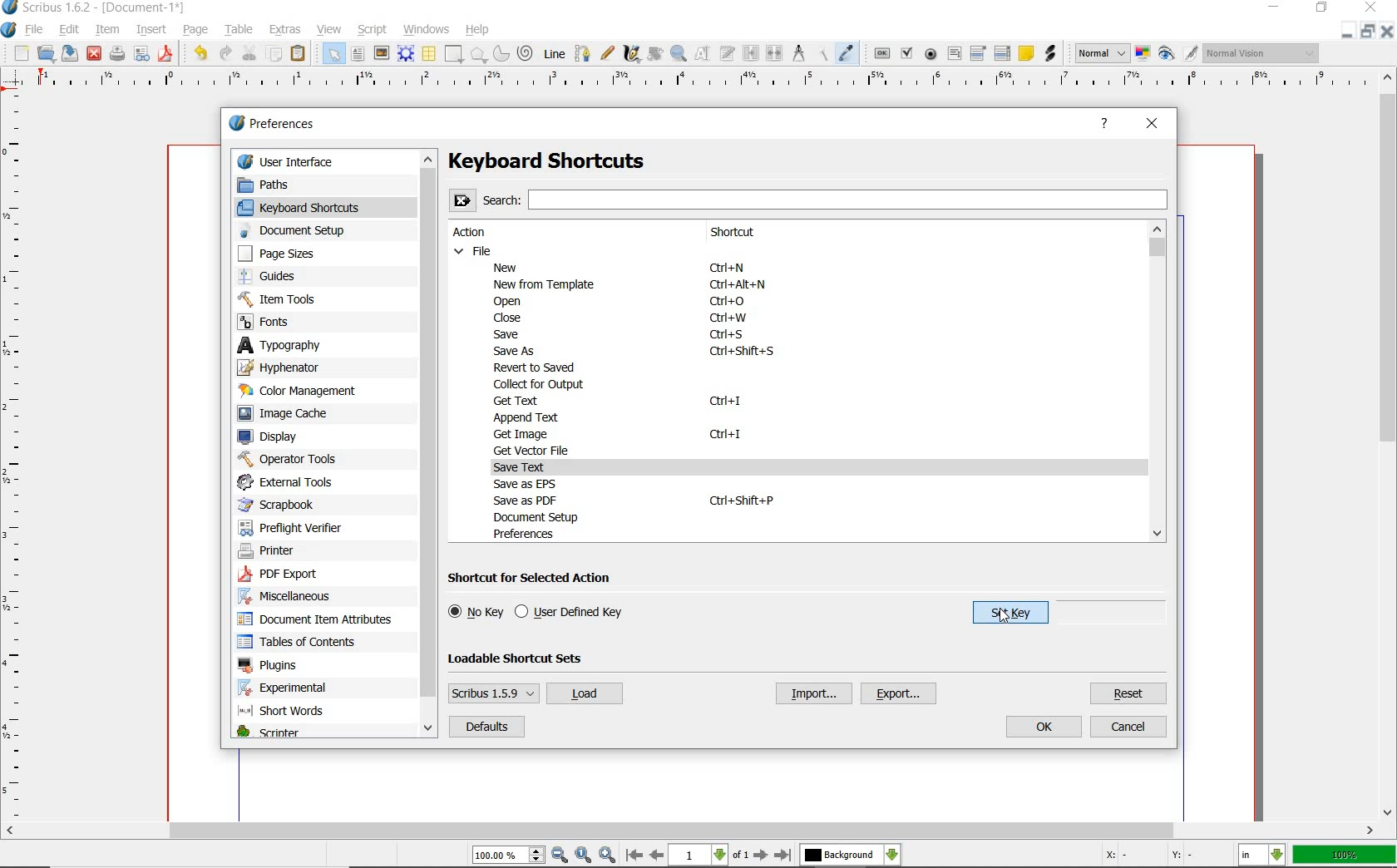 Image resolution: width=1397 pixels, height=868 pixels. I want to click on external tools, so click(293, 481).